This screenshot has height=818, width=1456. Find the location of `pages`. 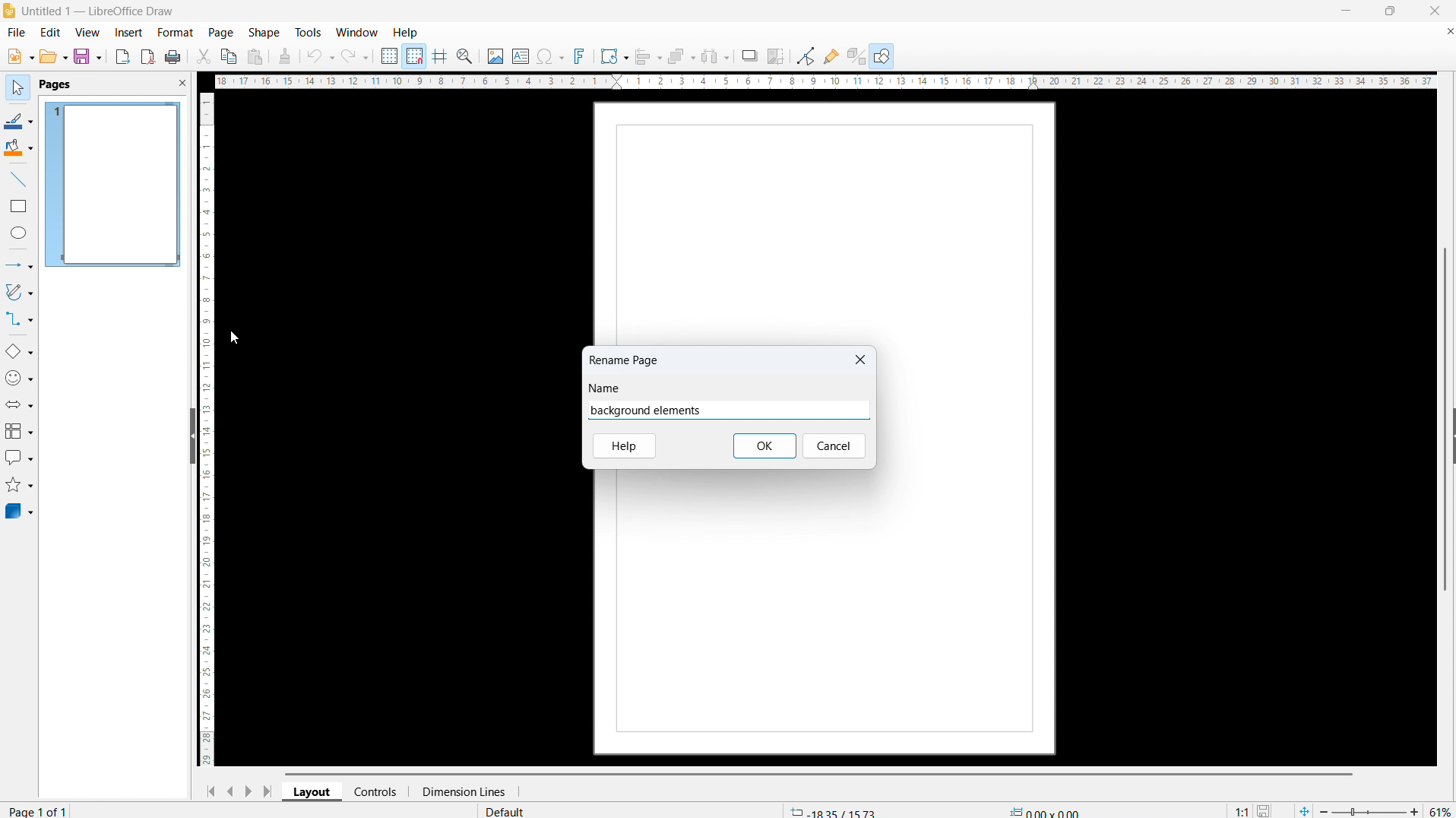

pages is located at coordinates (55, 85).